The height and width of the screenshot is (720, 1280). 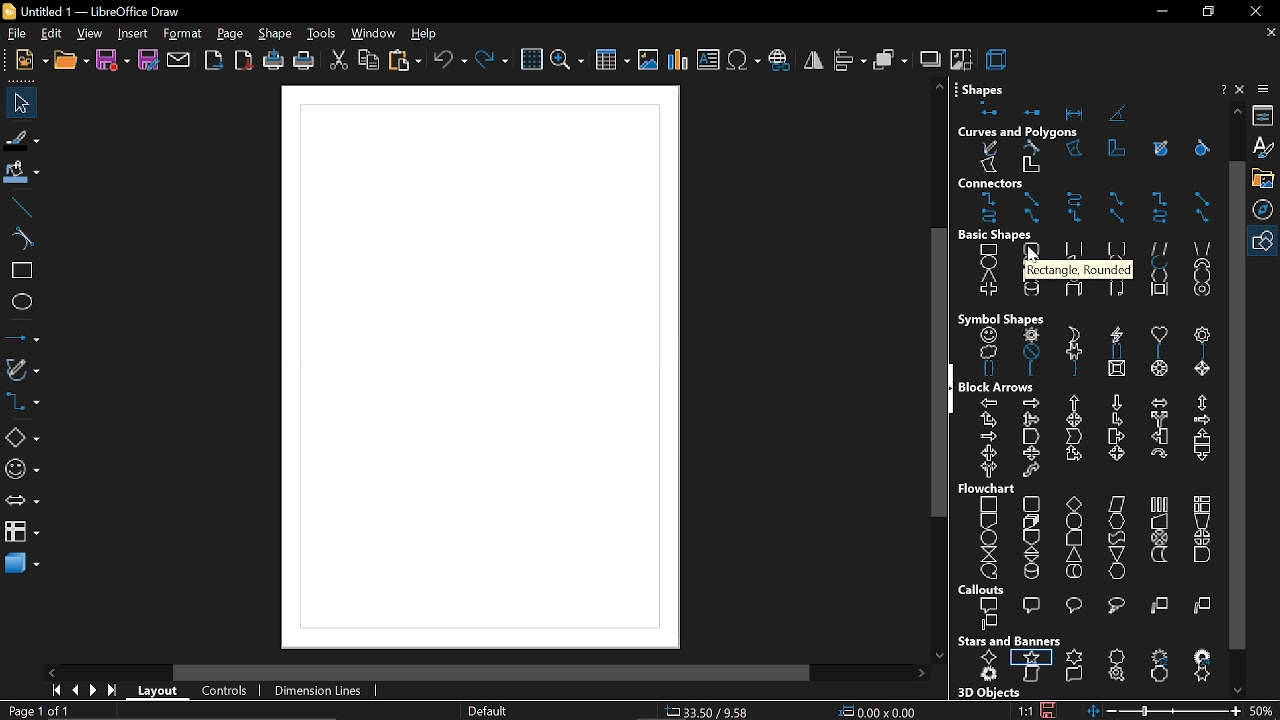 What do you see at coordinates (22, 531) in the screenshot?
I see `flowchart` at bounding box center [22, 531].